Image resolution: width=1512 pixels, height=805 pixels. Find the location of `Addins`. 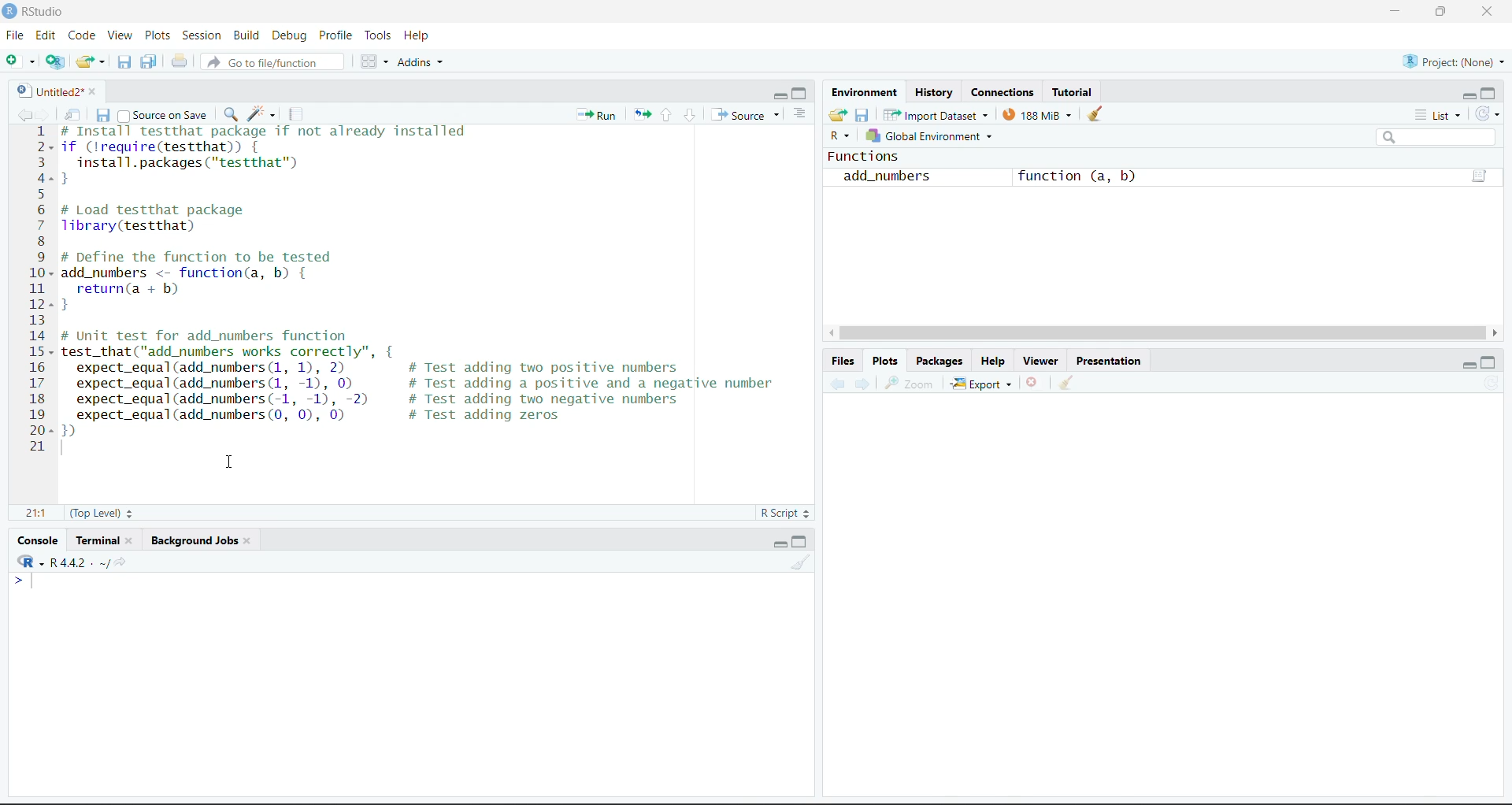

Addins is located at coordinates (422, 63).